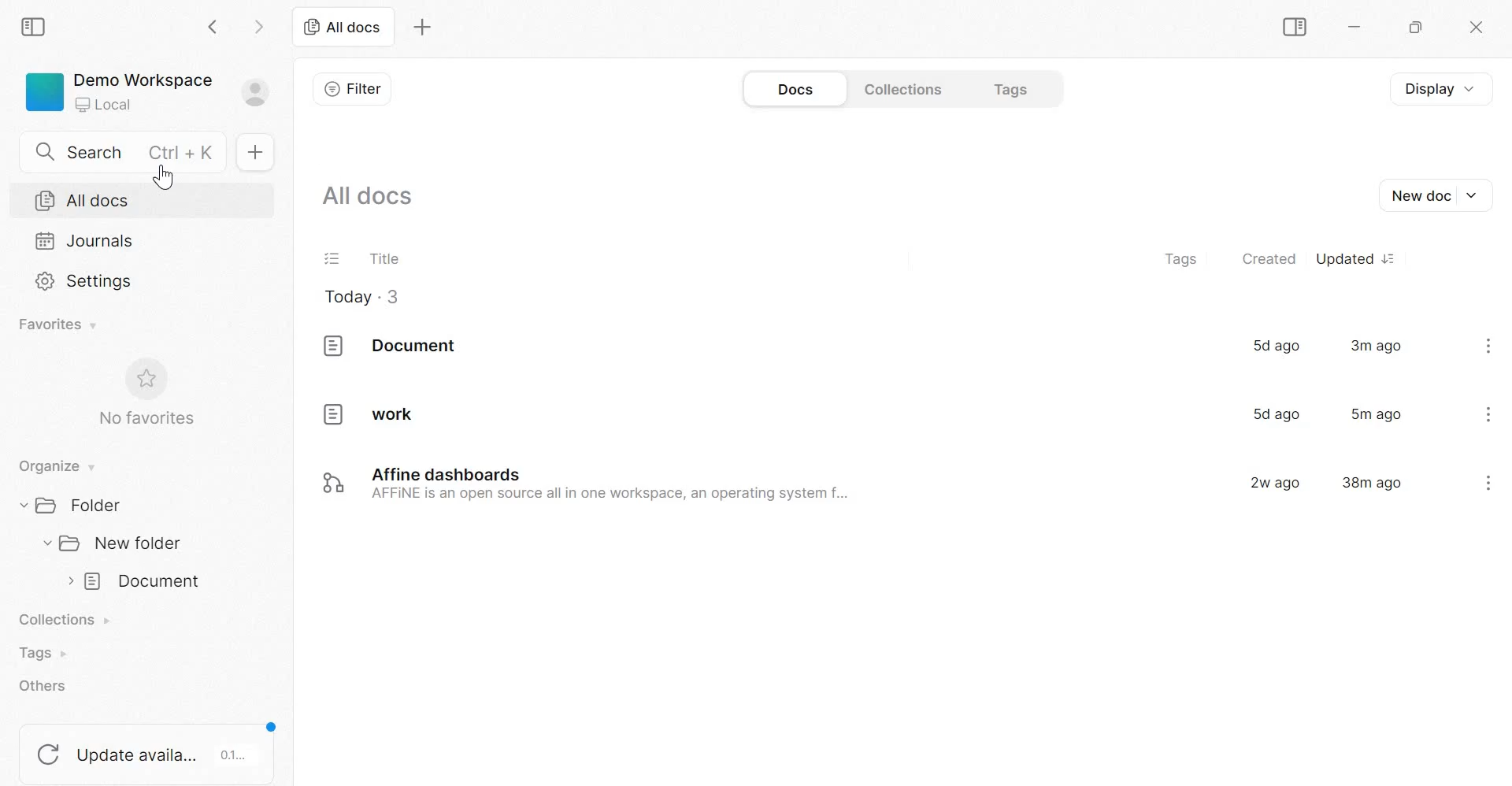 Image resolution: width=1512 pixels, height=786 pixels. Describe the element at coordinates (259, 25) in the screenshot. I see `Go forward` at that location.